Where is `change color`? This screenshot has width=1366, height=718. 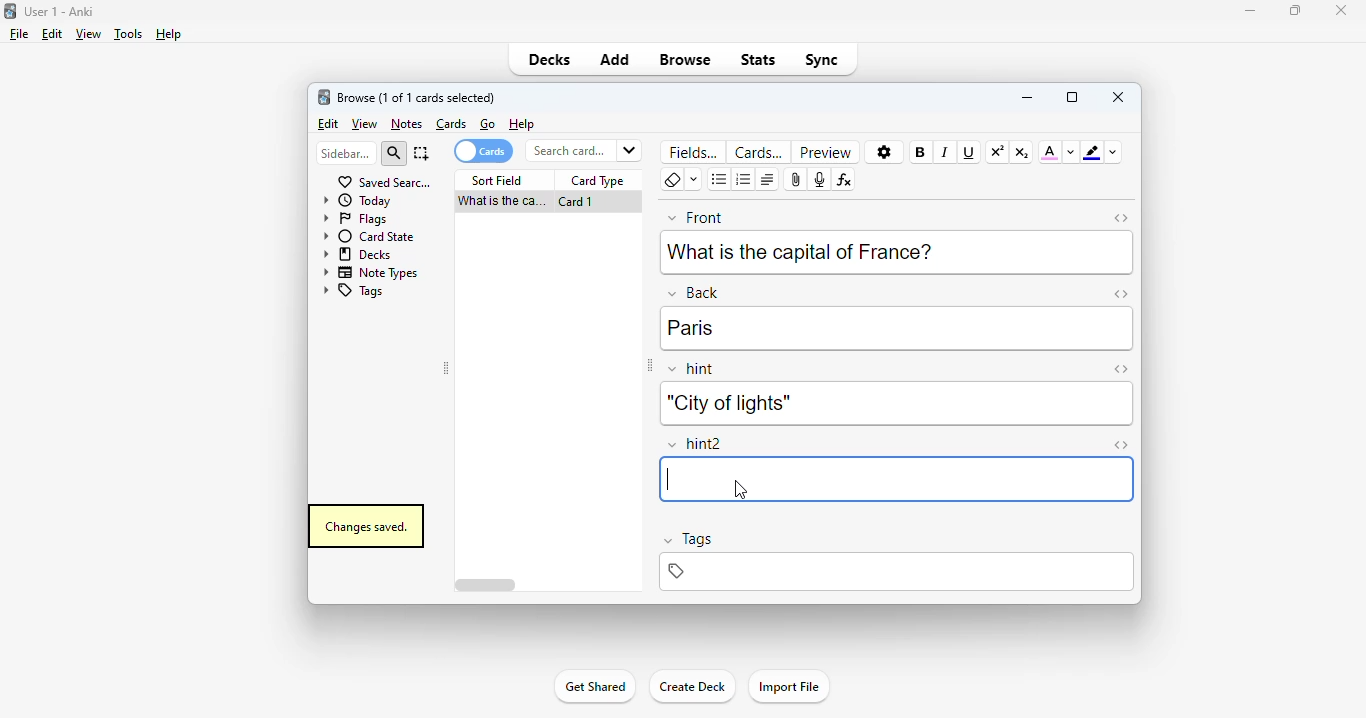
change color is located at coordinates (1071, 152).